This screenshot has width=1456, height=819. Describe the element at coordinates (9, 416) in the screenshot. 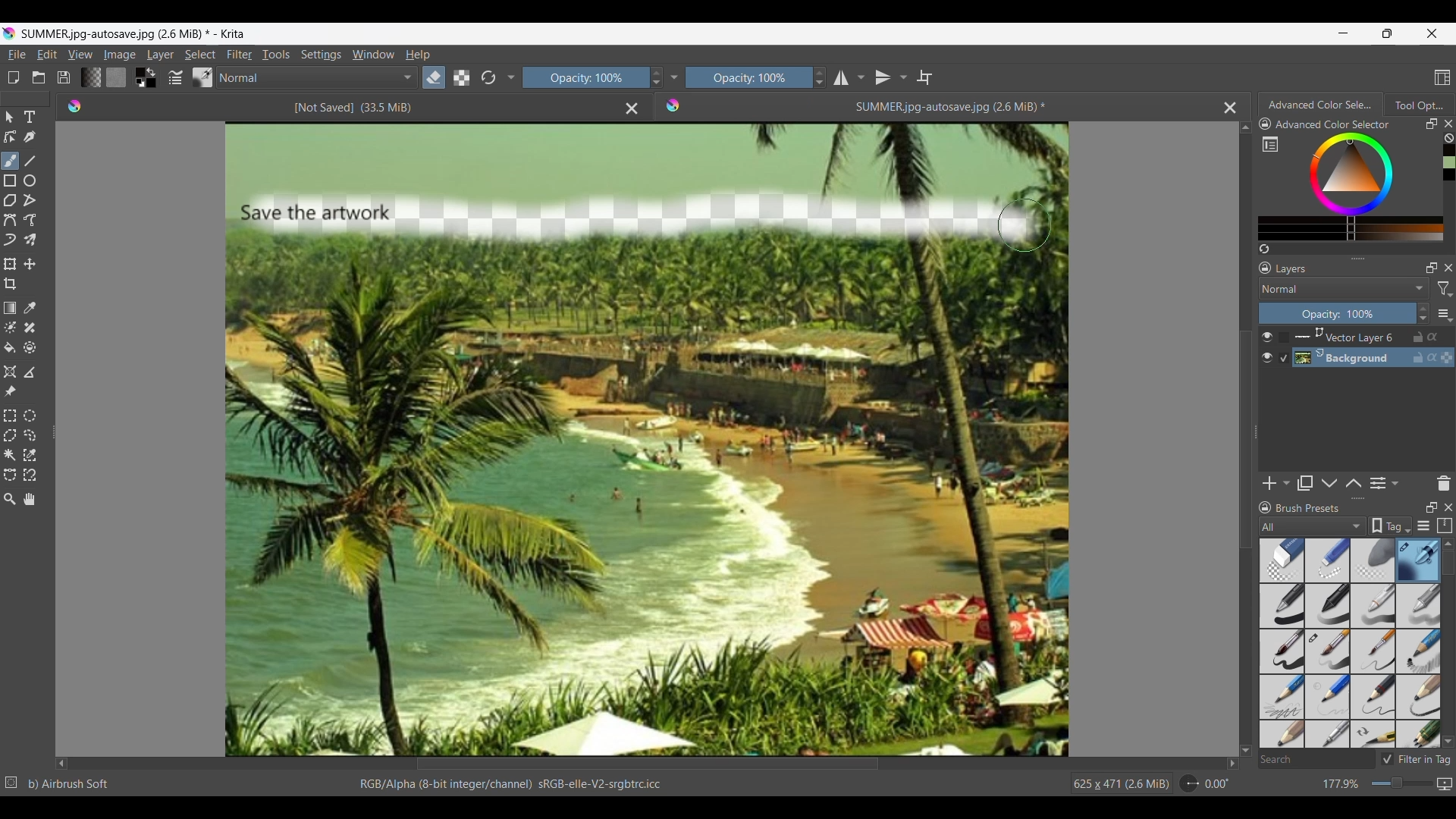

I see `Rectangular selection tool` at that location.